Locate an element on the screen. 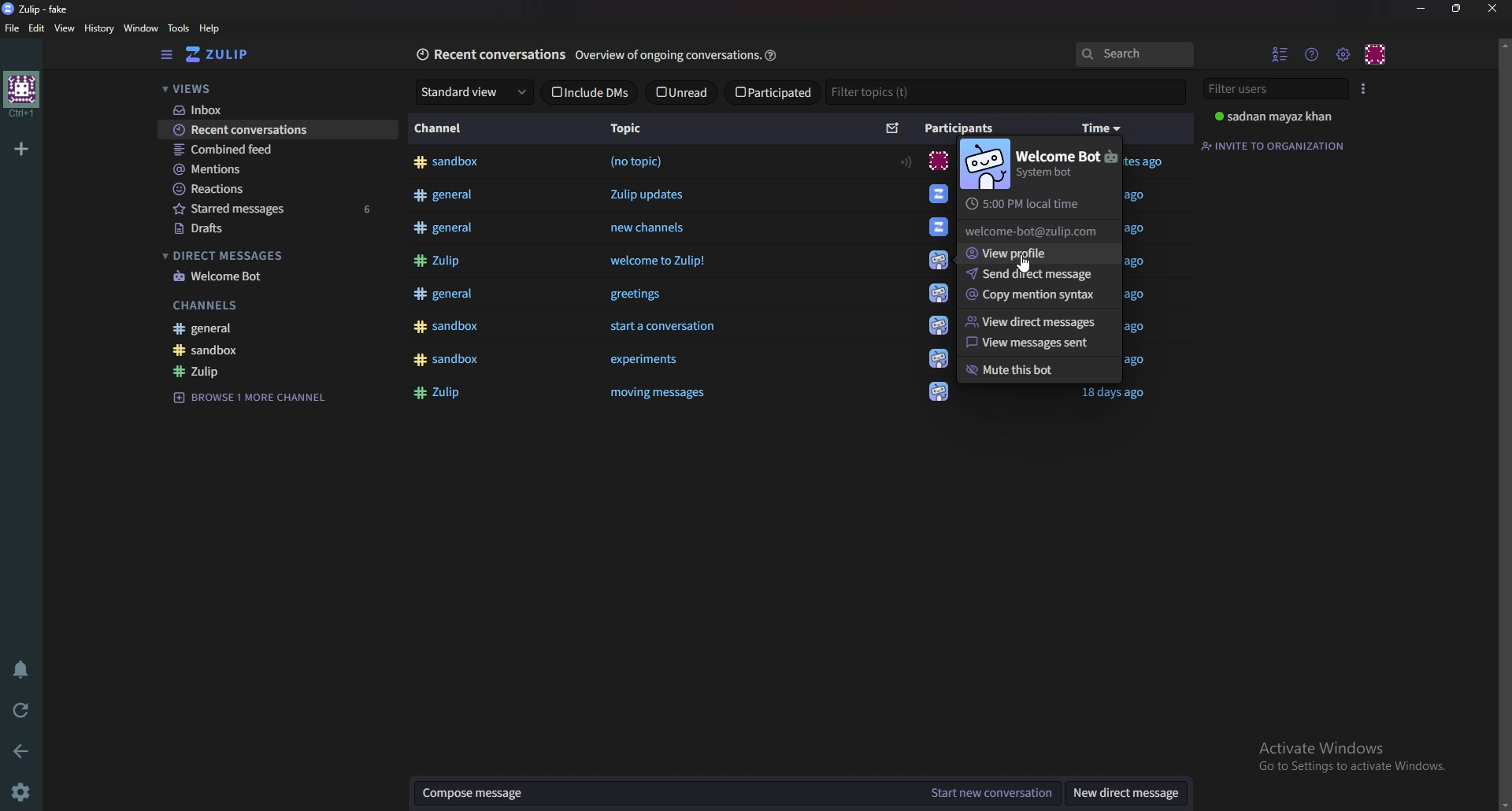 This screenshot has width=1512, height=811. Resize is located at coordinates (1457, 9).